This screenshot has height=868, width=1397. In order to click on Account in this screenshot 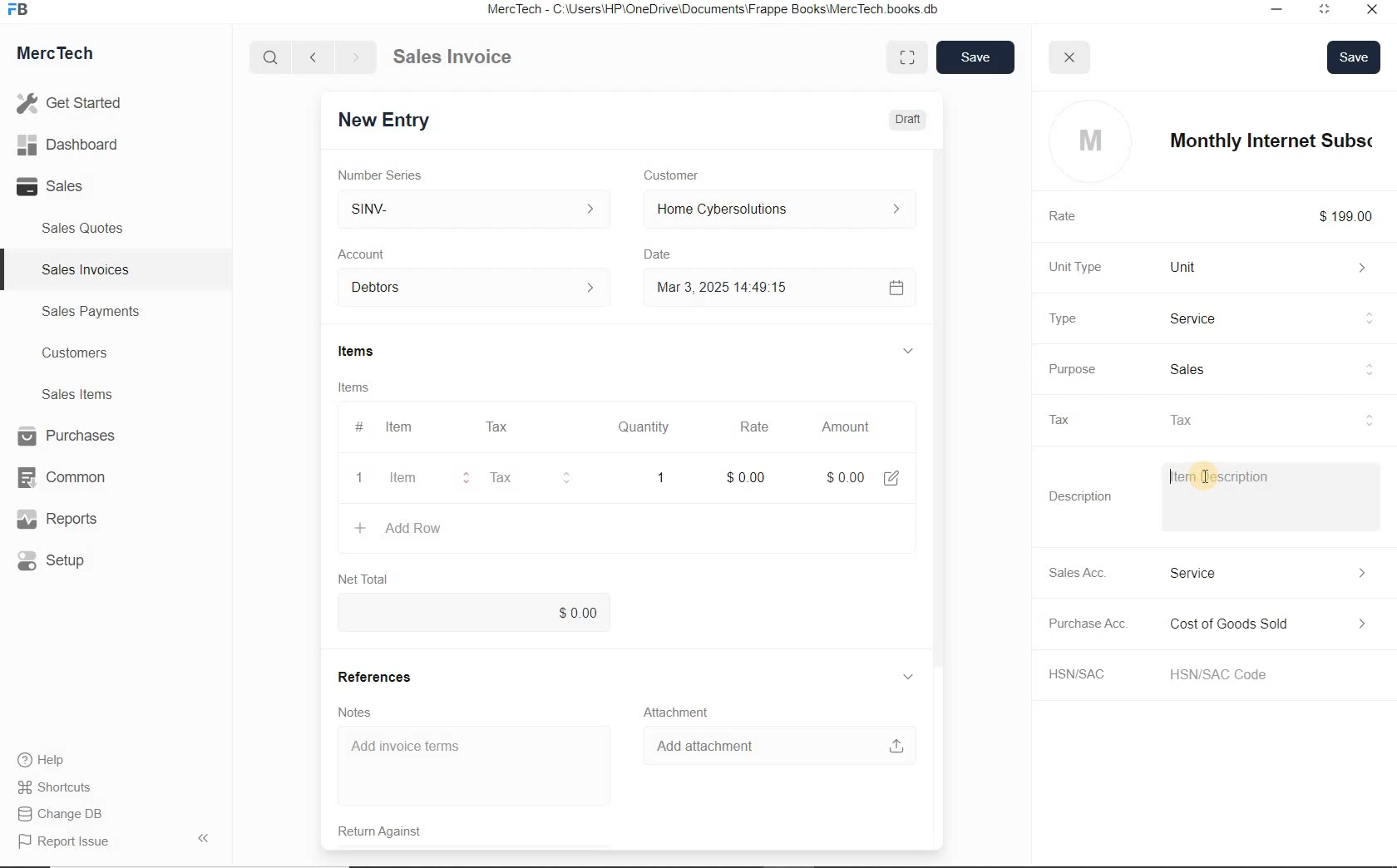, I will do `click(367, 254)`.